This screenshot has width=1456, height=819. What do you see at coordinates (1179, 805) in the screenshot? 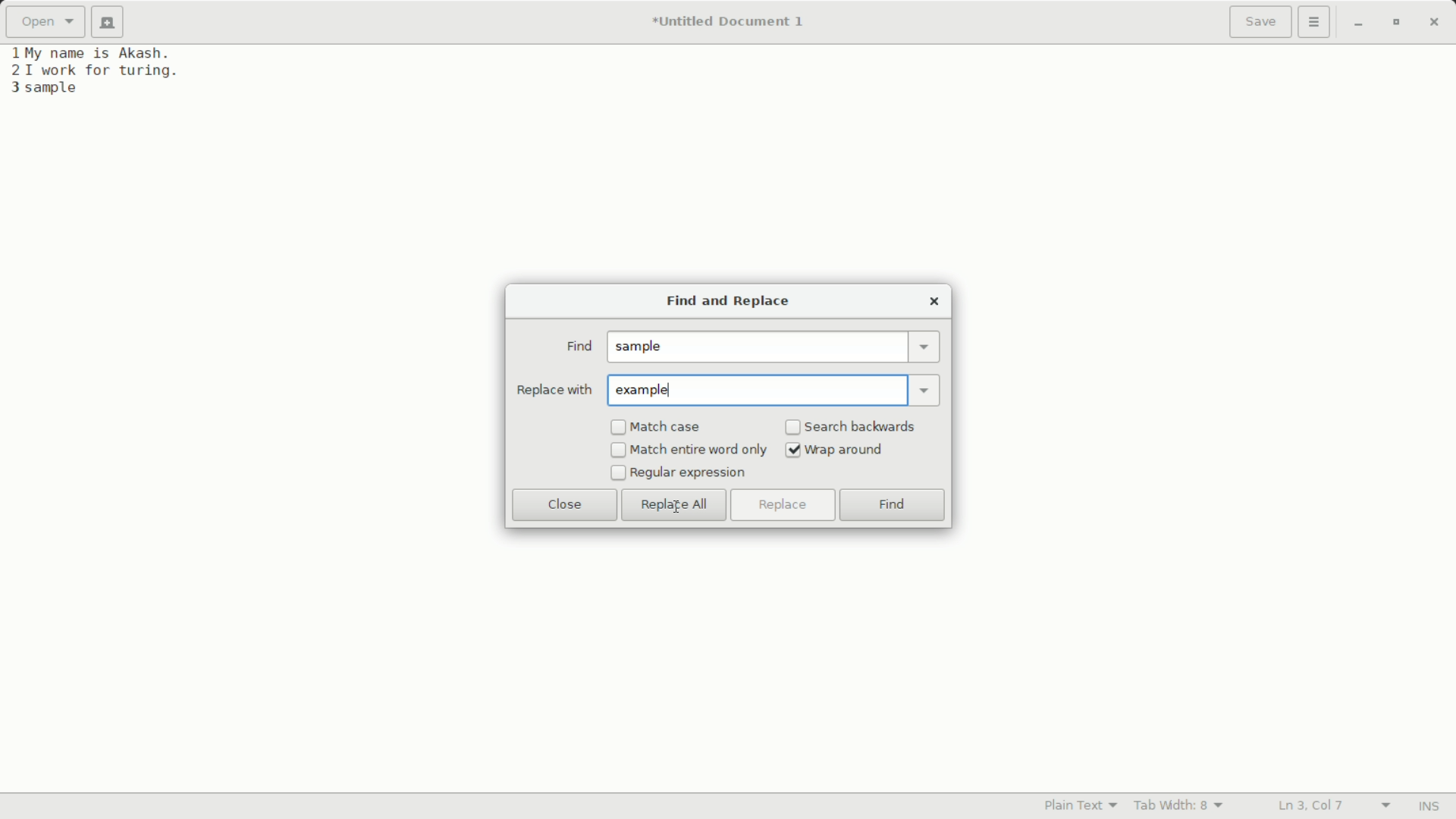
I see `tab width` at bounding box center [1179, 805].